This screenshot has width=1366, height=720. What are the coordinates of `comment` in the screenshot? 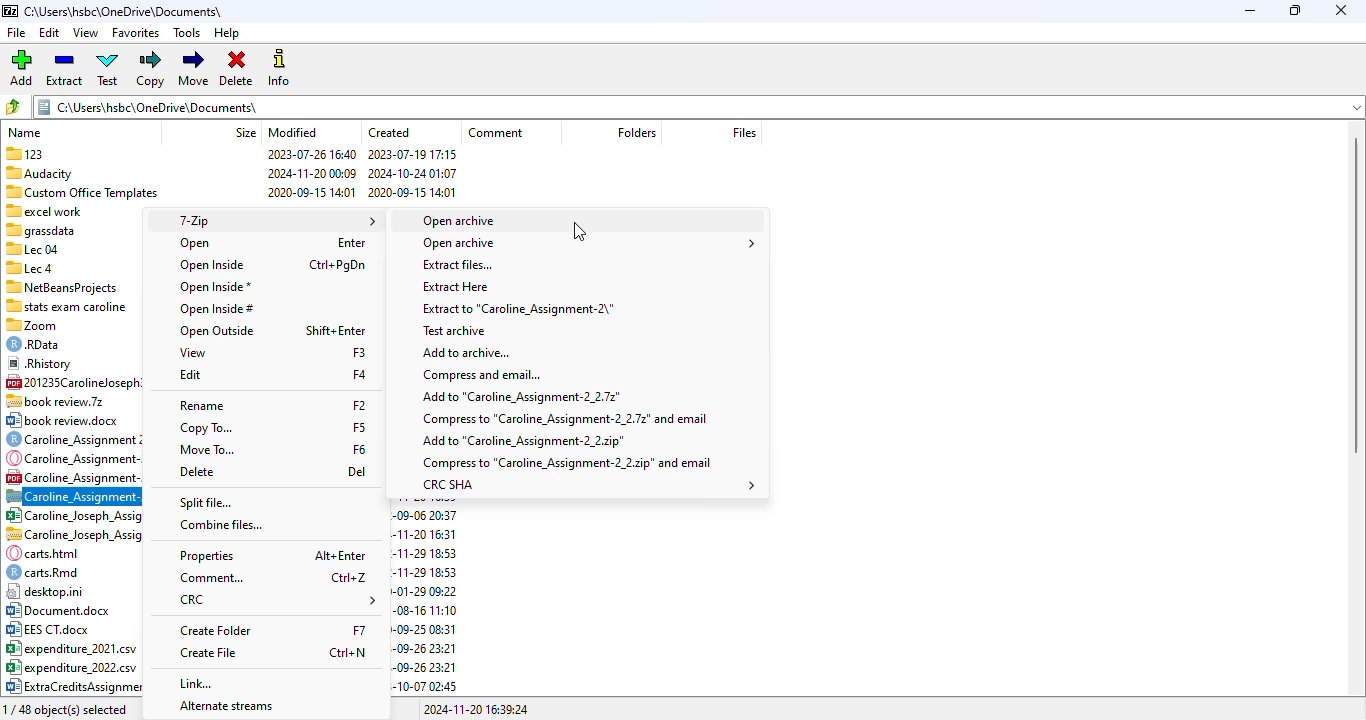 It's located at (497, 132).